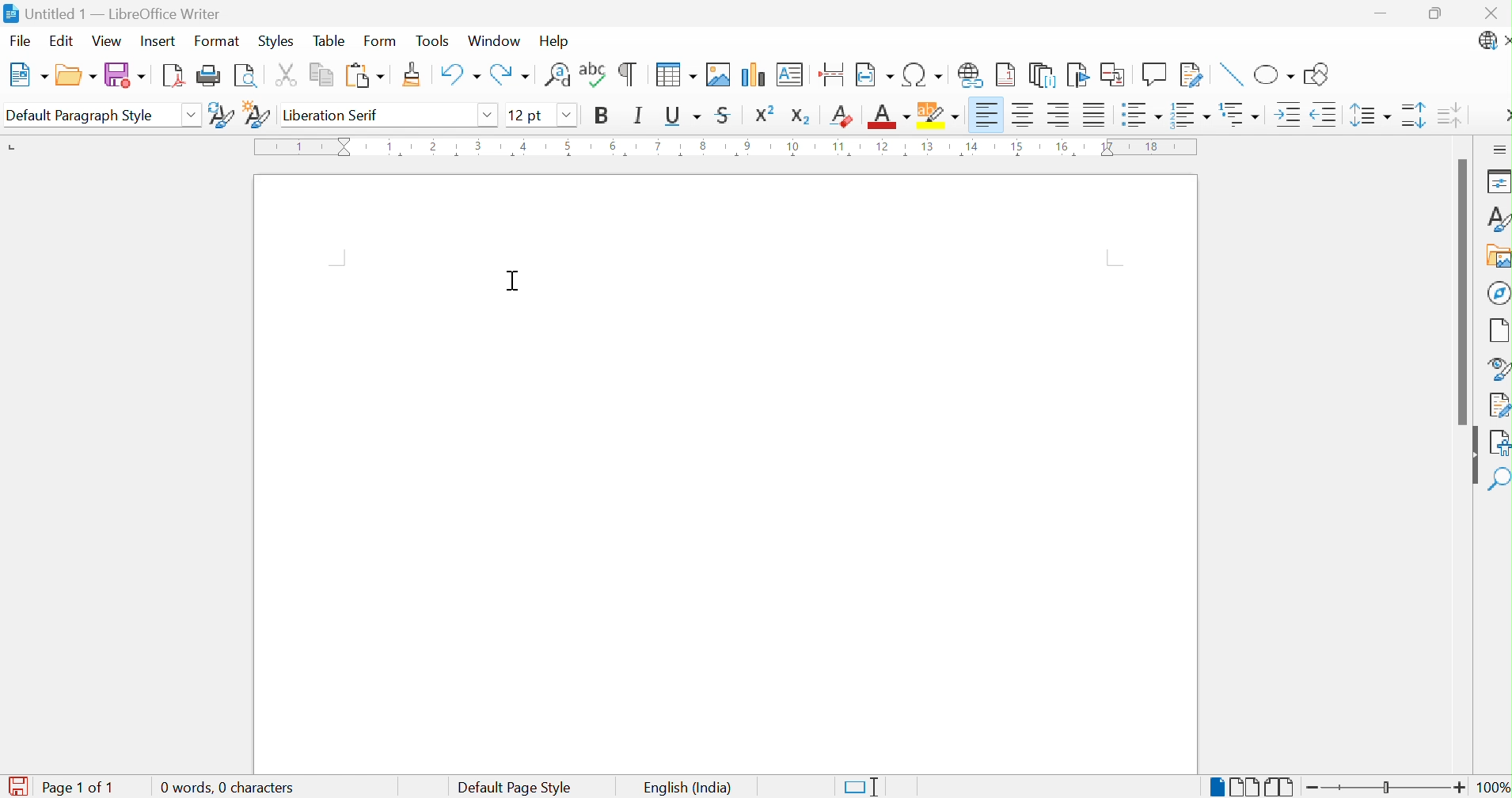  I want to click on Strikethrough, so click(725, 113).